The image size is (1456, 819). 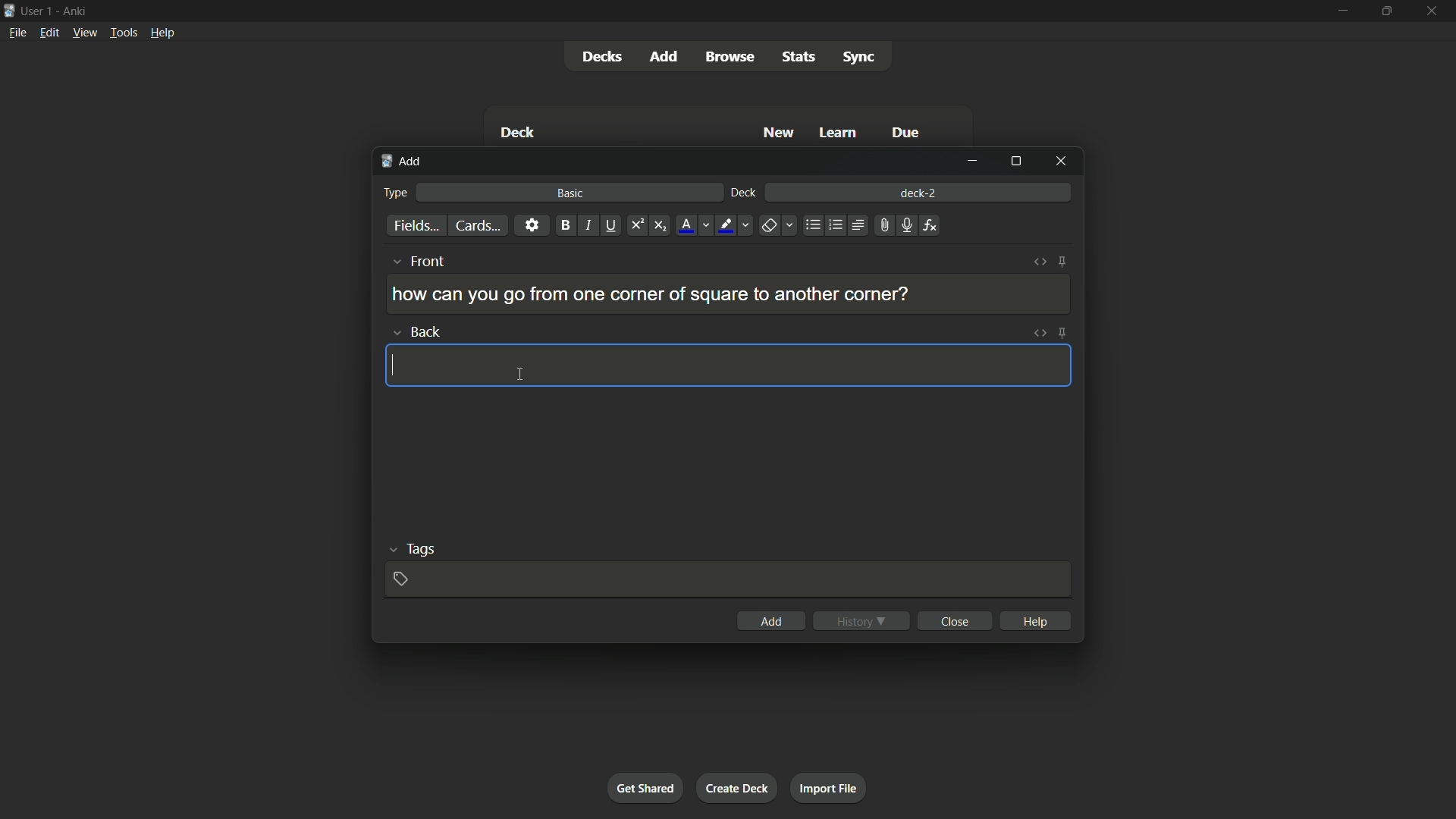 What do you see at coordinates (397, 193) in the screenshot?
I see `type` at bounding box center [397, 193].